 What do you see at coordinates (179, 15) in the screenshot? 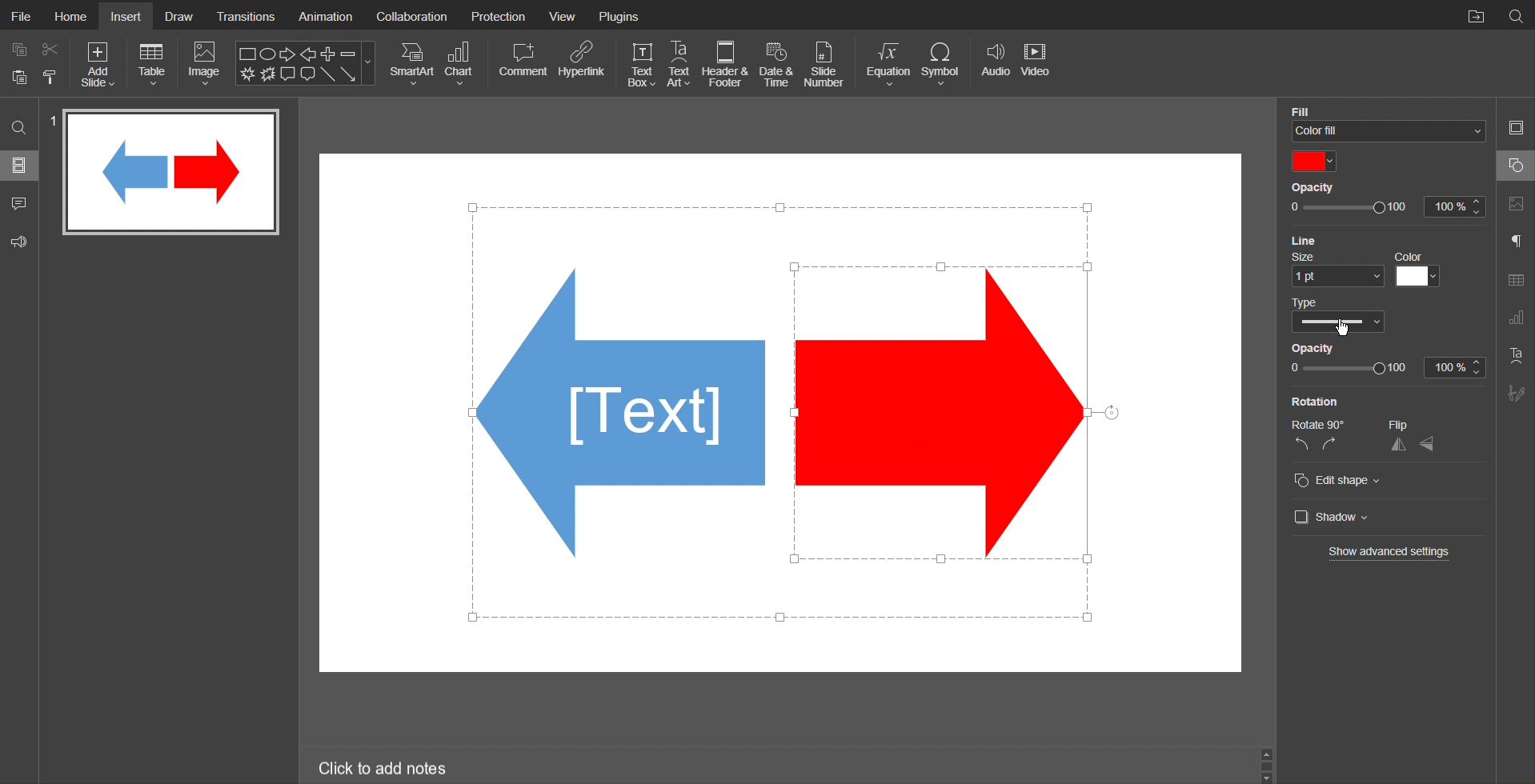
I see `Draw` at bounding box center [179, 15].